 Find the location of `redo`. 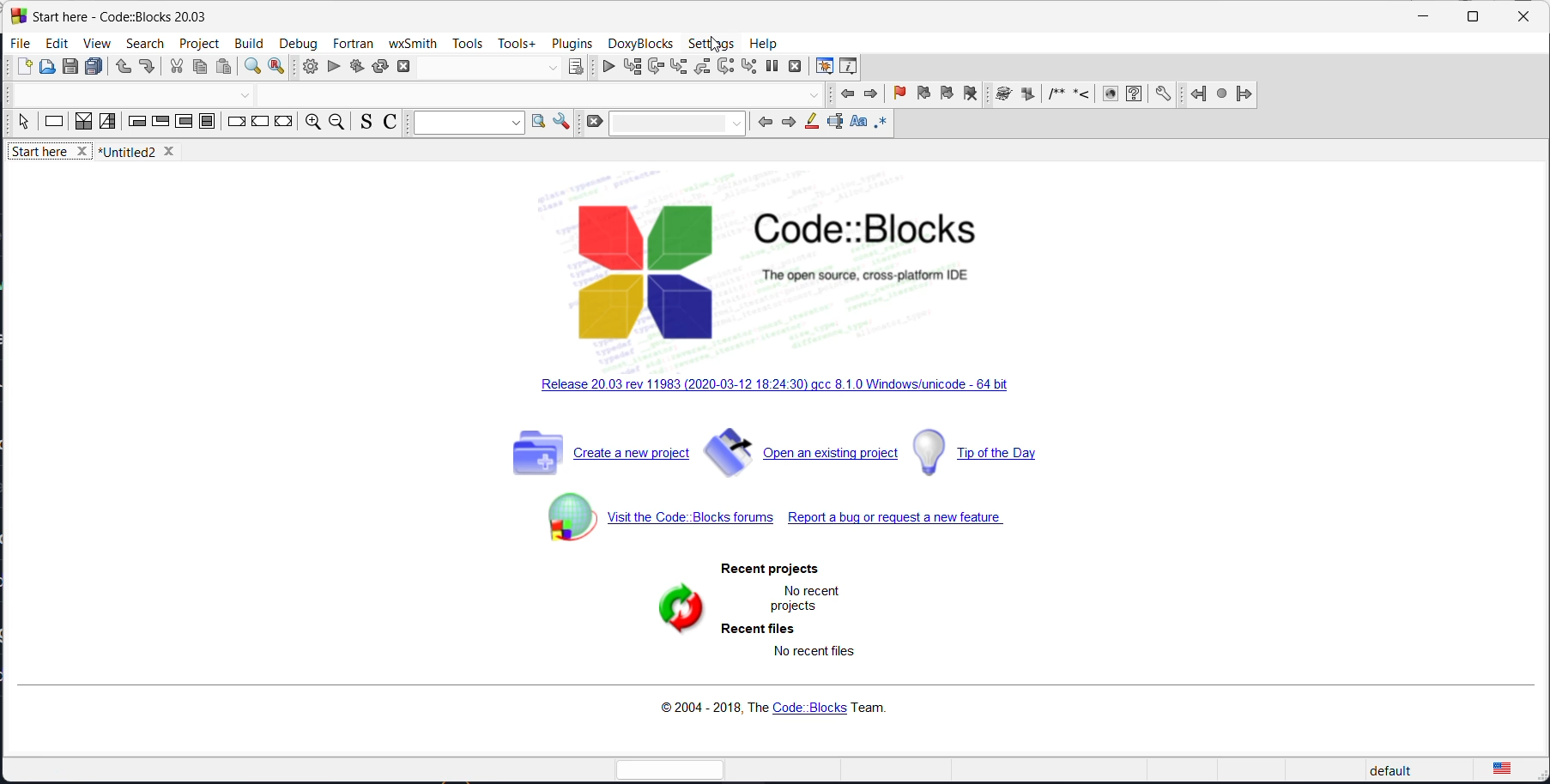

redo is located at coordinates (147, 69).